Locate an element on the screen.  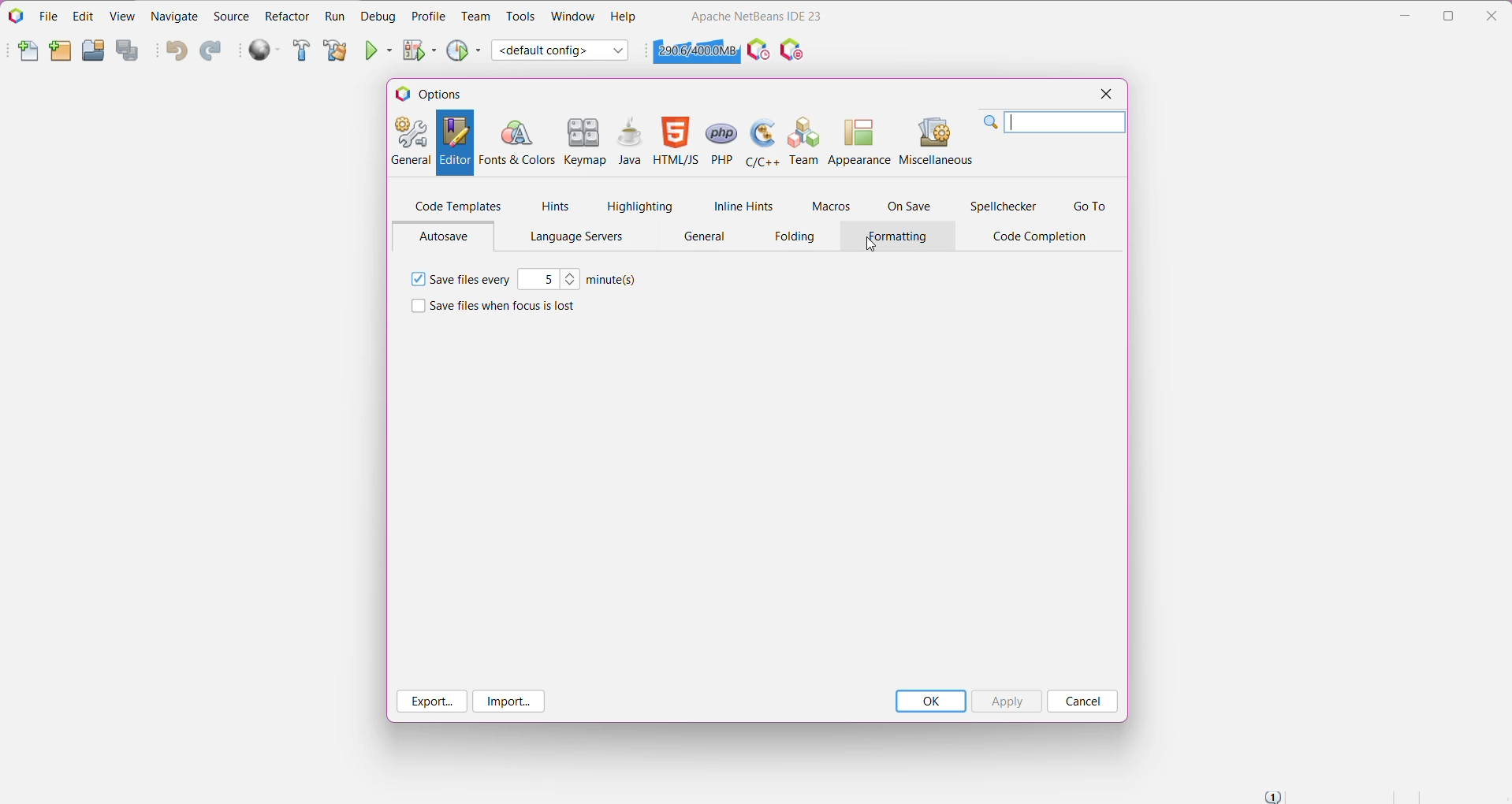
Application Name is located at coordinates (756, 16).